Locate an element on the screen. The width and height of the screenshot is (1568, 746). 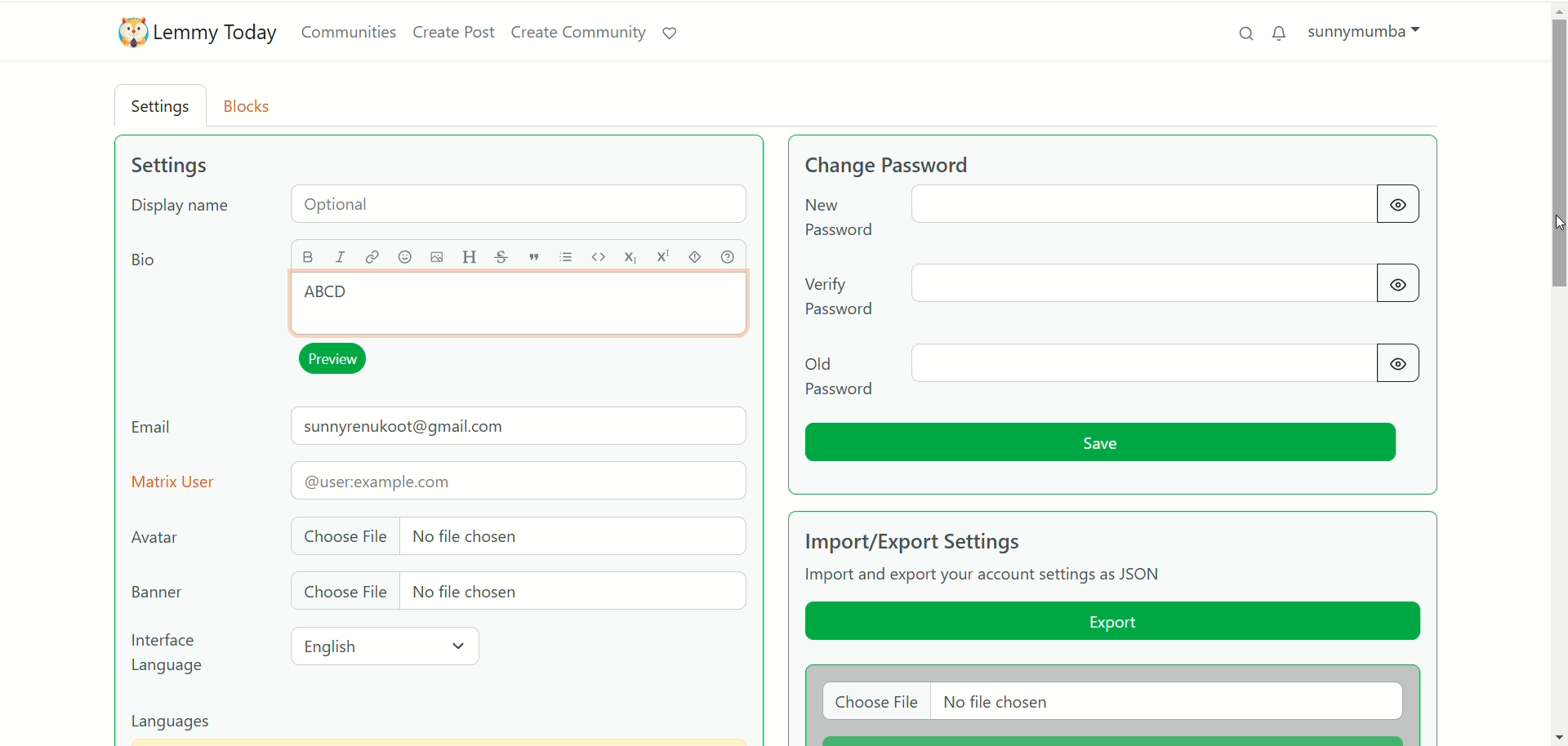
lemmy today is located at coordinates (218, 34).